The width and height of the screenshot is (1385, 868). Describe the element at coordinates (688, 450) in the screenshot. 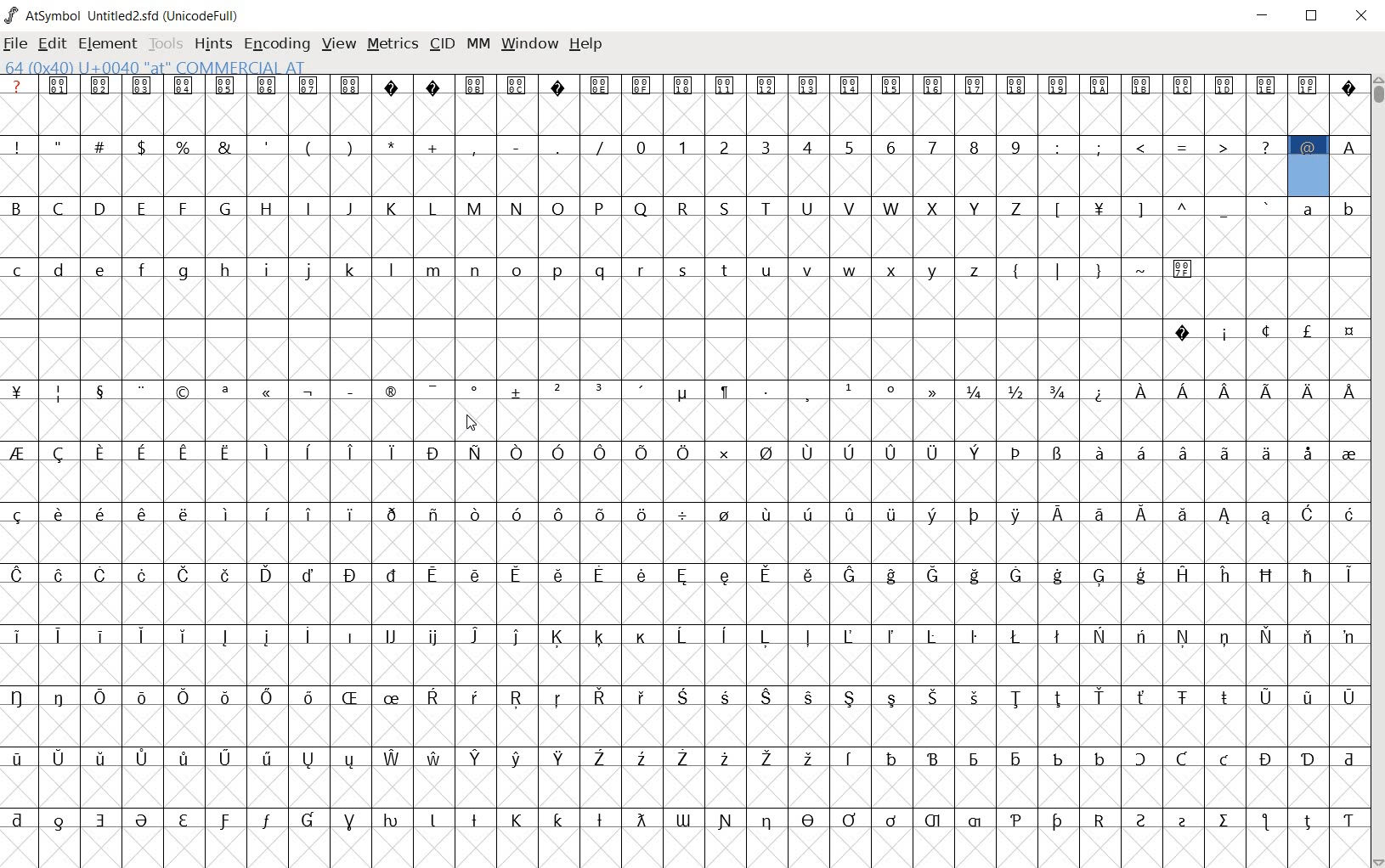

I see `special letters` at that location.